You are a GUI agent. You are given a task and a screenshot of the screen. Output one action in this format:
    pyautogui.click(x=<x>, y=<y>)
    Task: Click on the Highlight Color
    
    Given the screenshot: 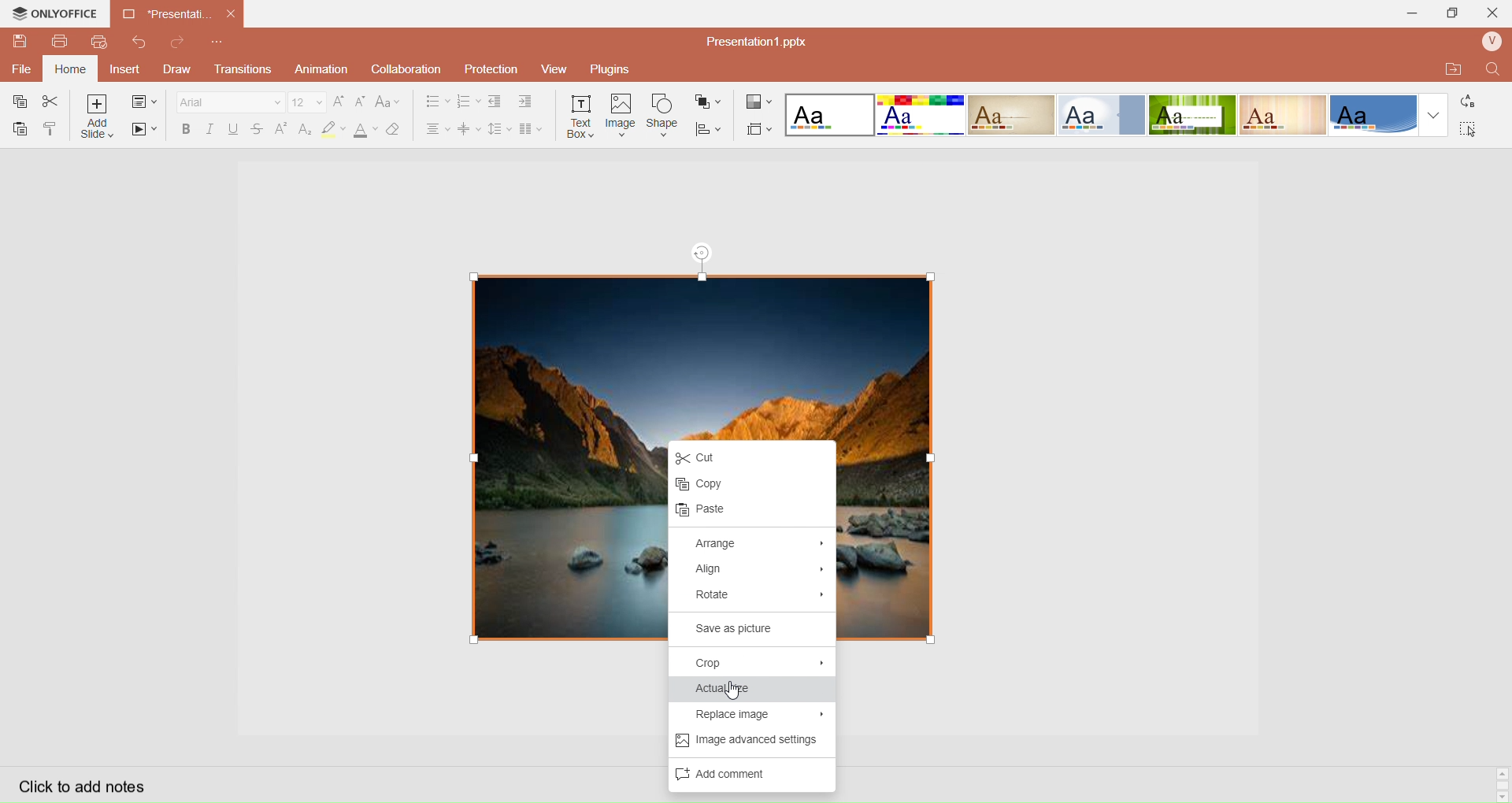 What is the action you would take?
    pyautogui.click(x=335, y=130)
    